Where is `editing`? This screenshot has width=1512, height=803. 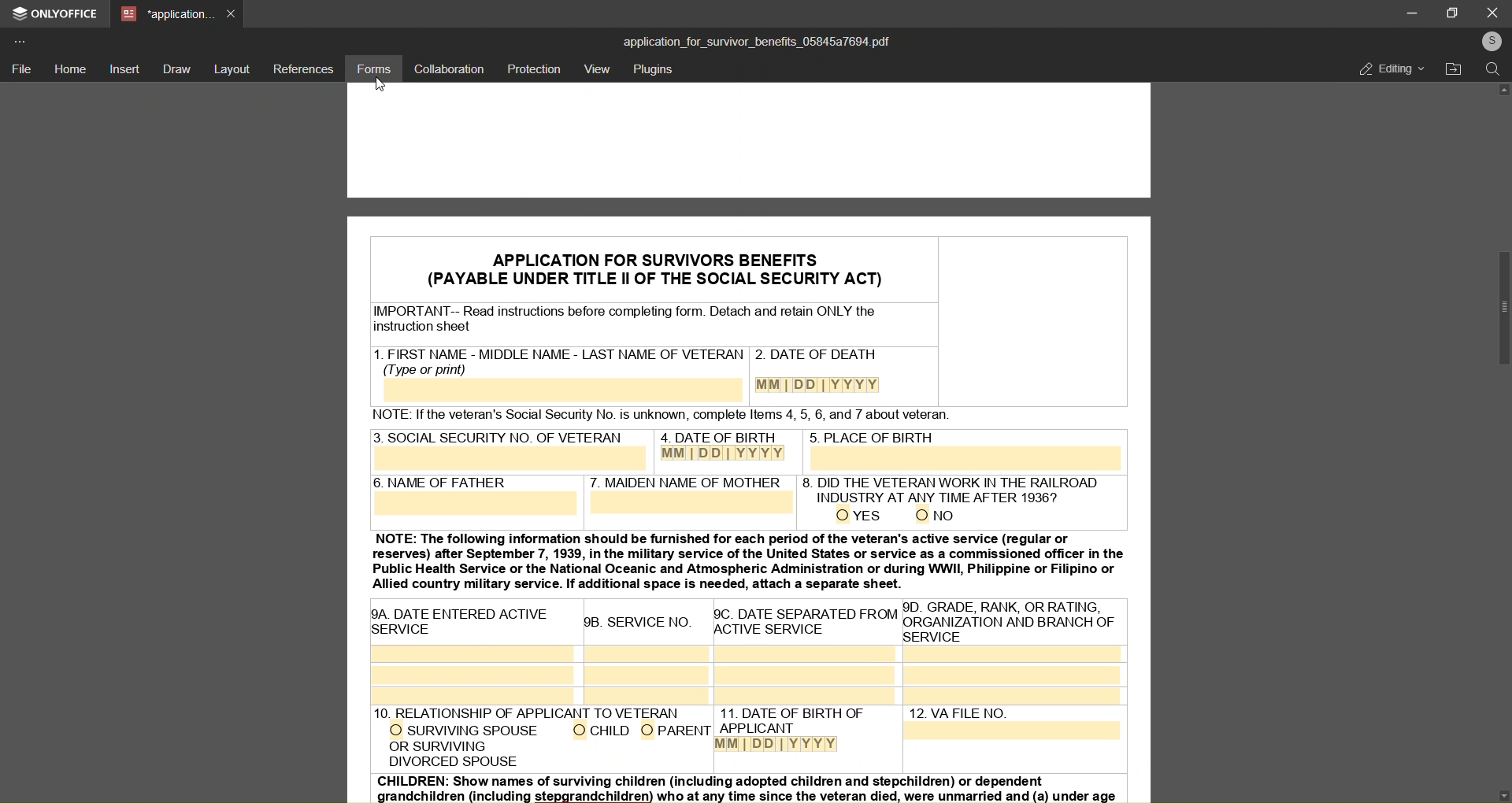
editing is located at coordinates (1382, 68).